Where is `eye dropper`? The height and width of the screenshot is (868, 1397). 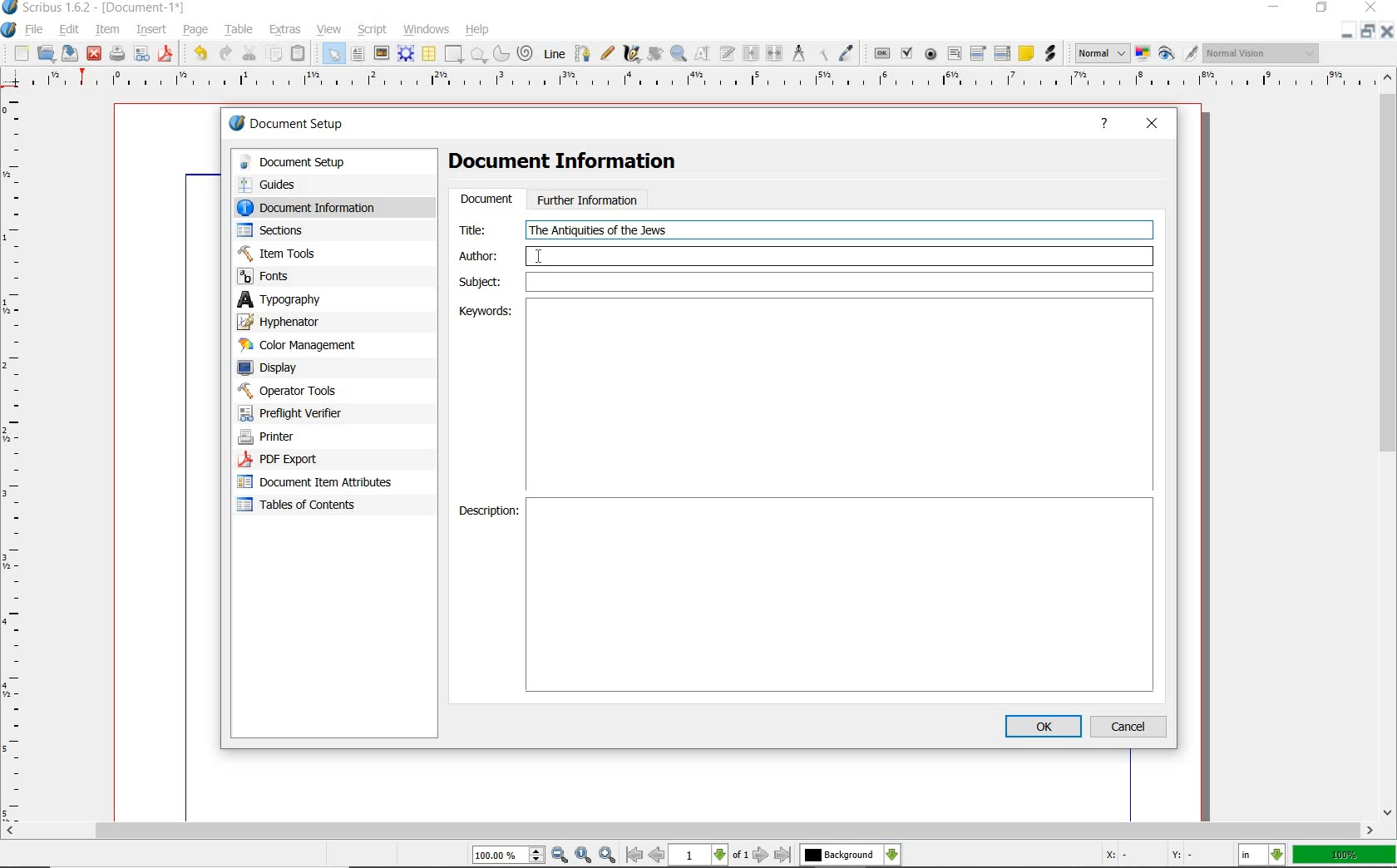
eye dropper is located at coordinates (847, 52).